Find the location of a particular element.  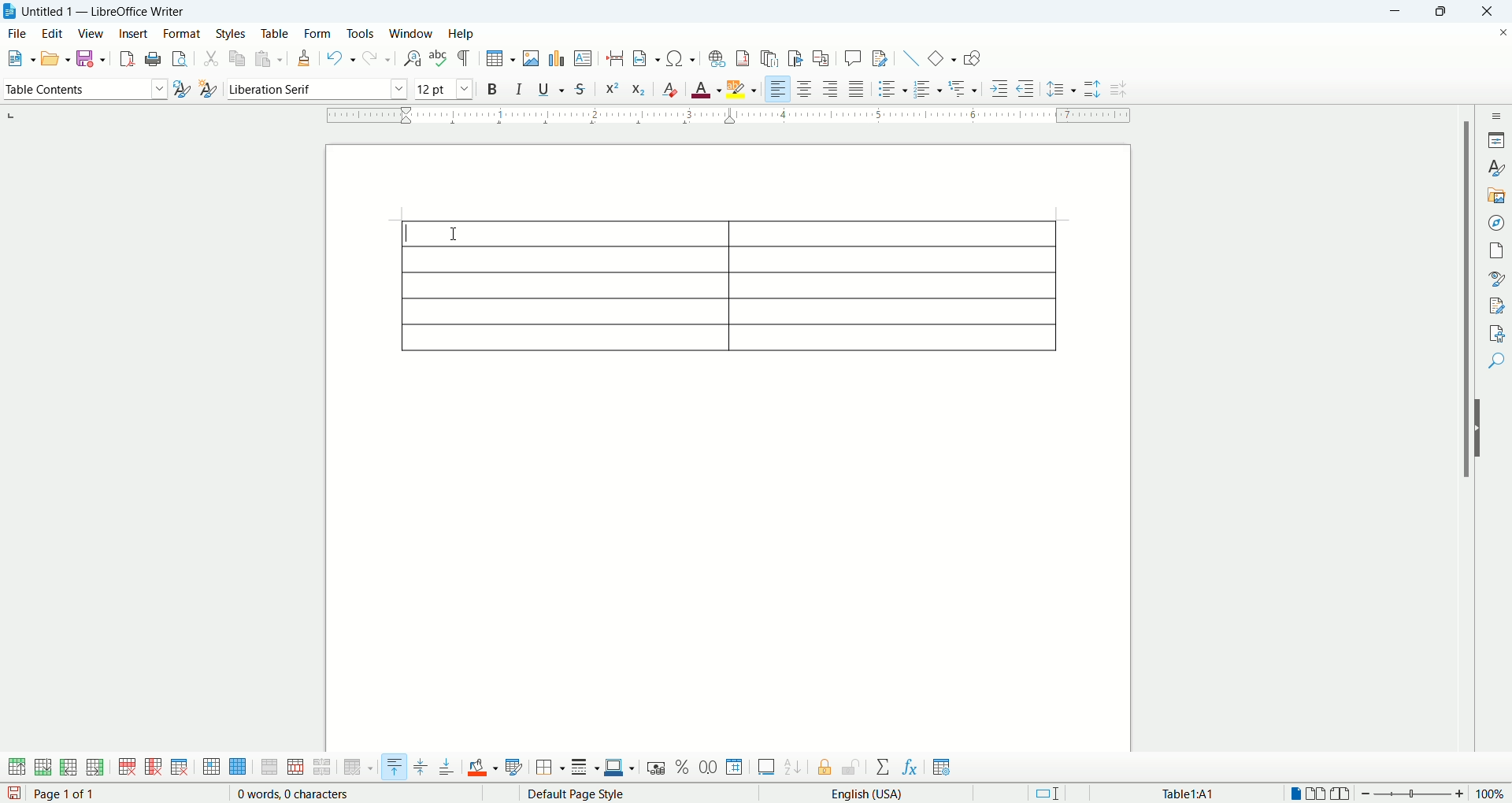

insert hyperlink is located at coordinates (715, 57).